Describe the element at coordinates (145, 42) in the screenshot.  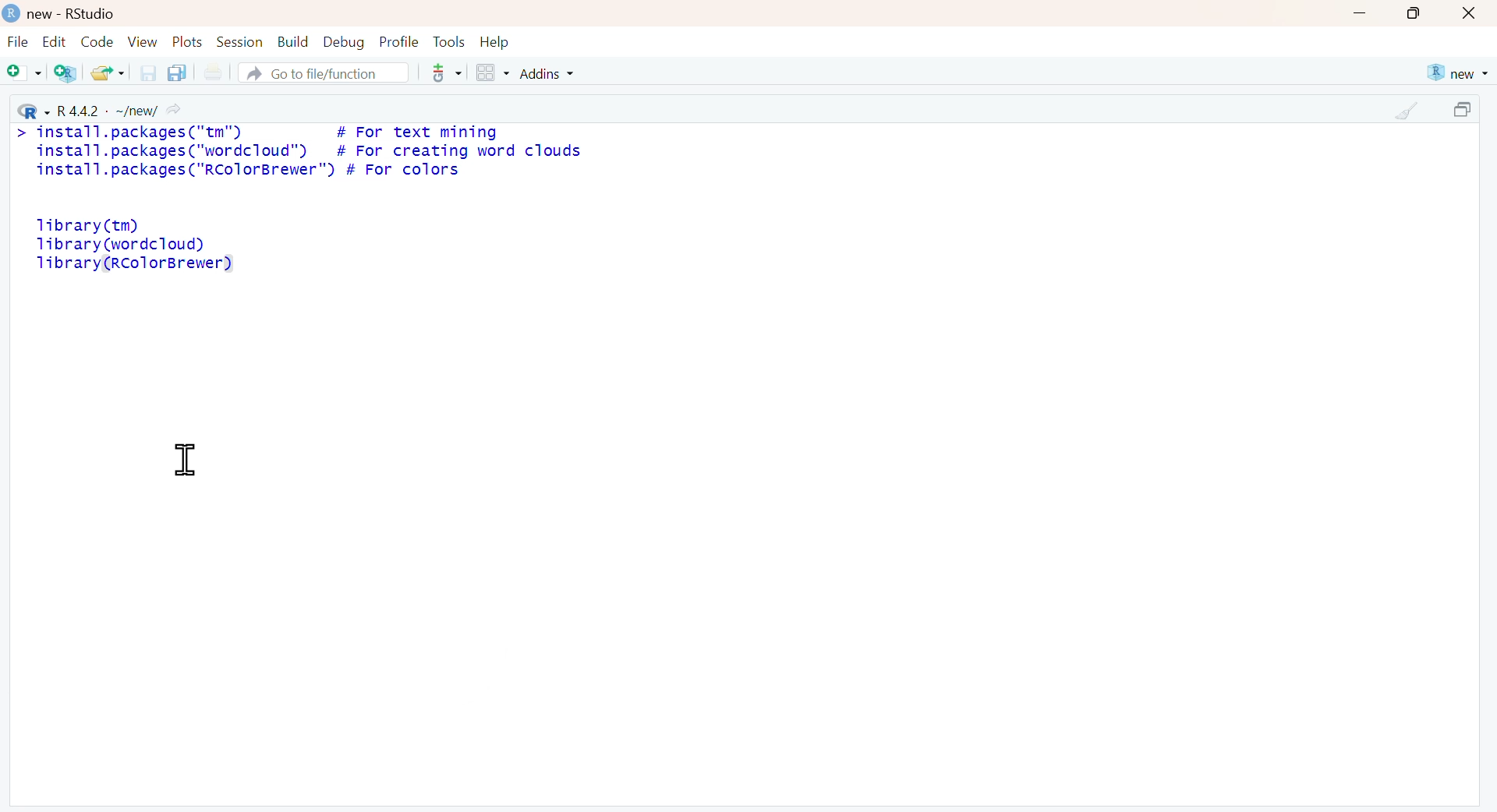
I see `View` at that location.